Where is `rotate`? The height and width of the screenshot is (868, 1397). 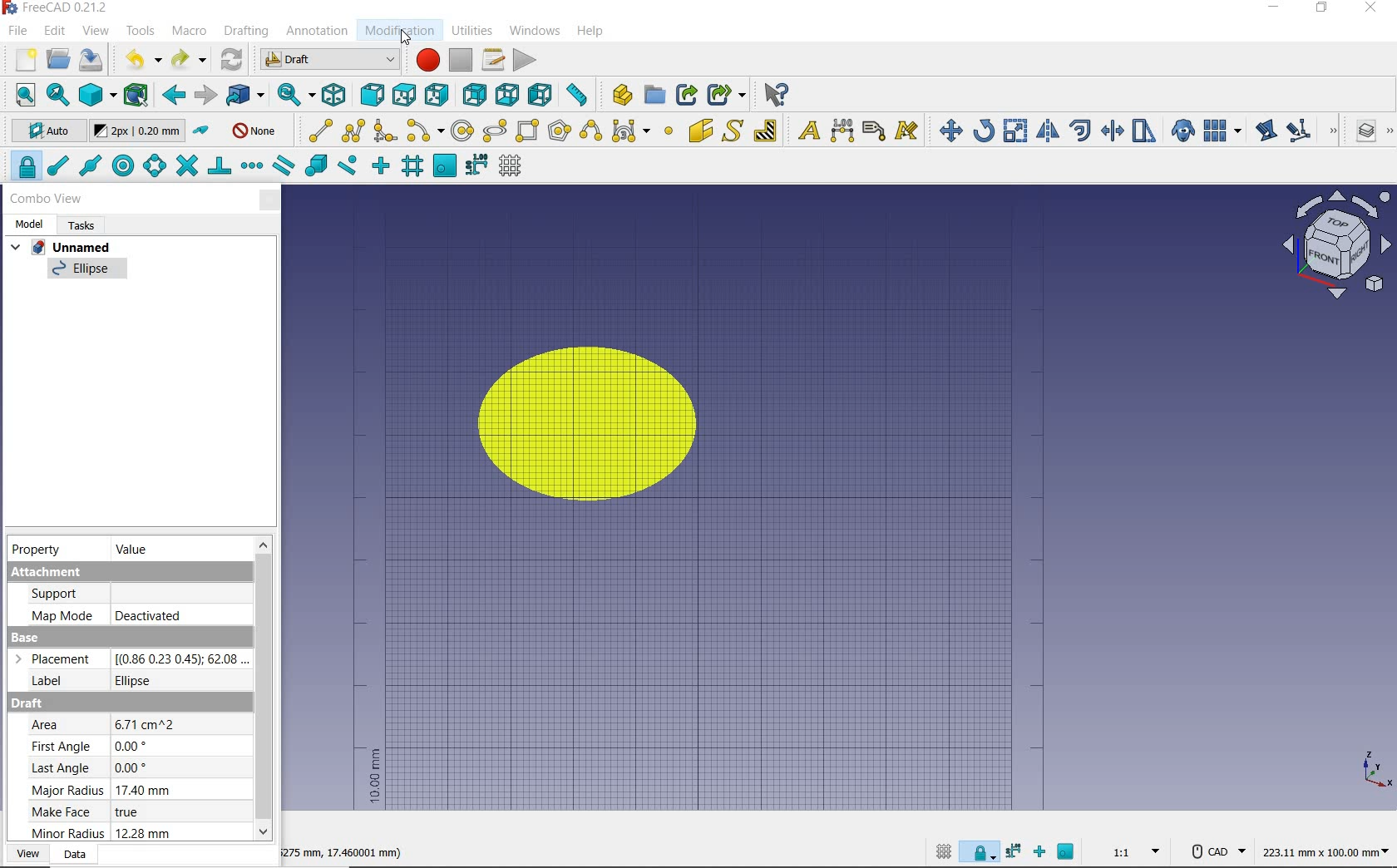
rotate is located at coordinates (984, 131).